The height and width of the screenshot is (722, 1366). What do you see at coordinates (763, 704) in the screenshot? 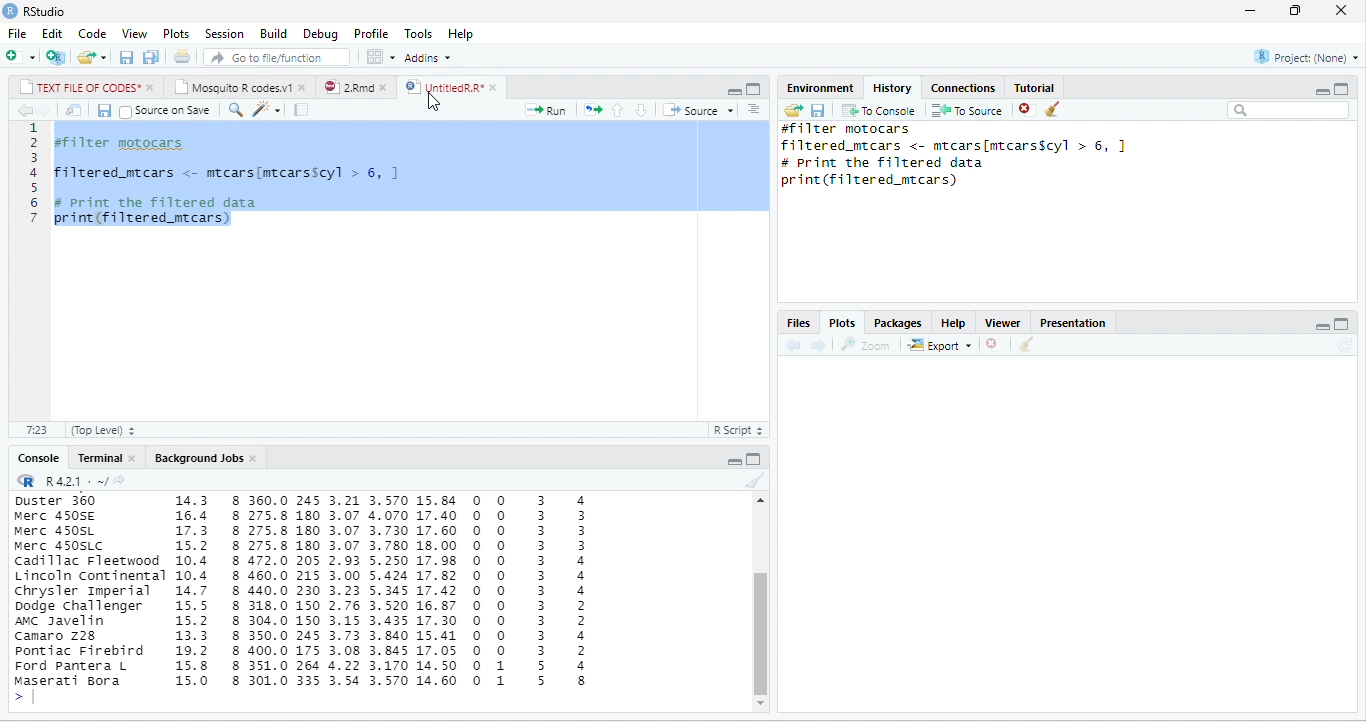
I see `scroll down` at bounding box center [763, 704].